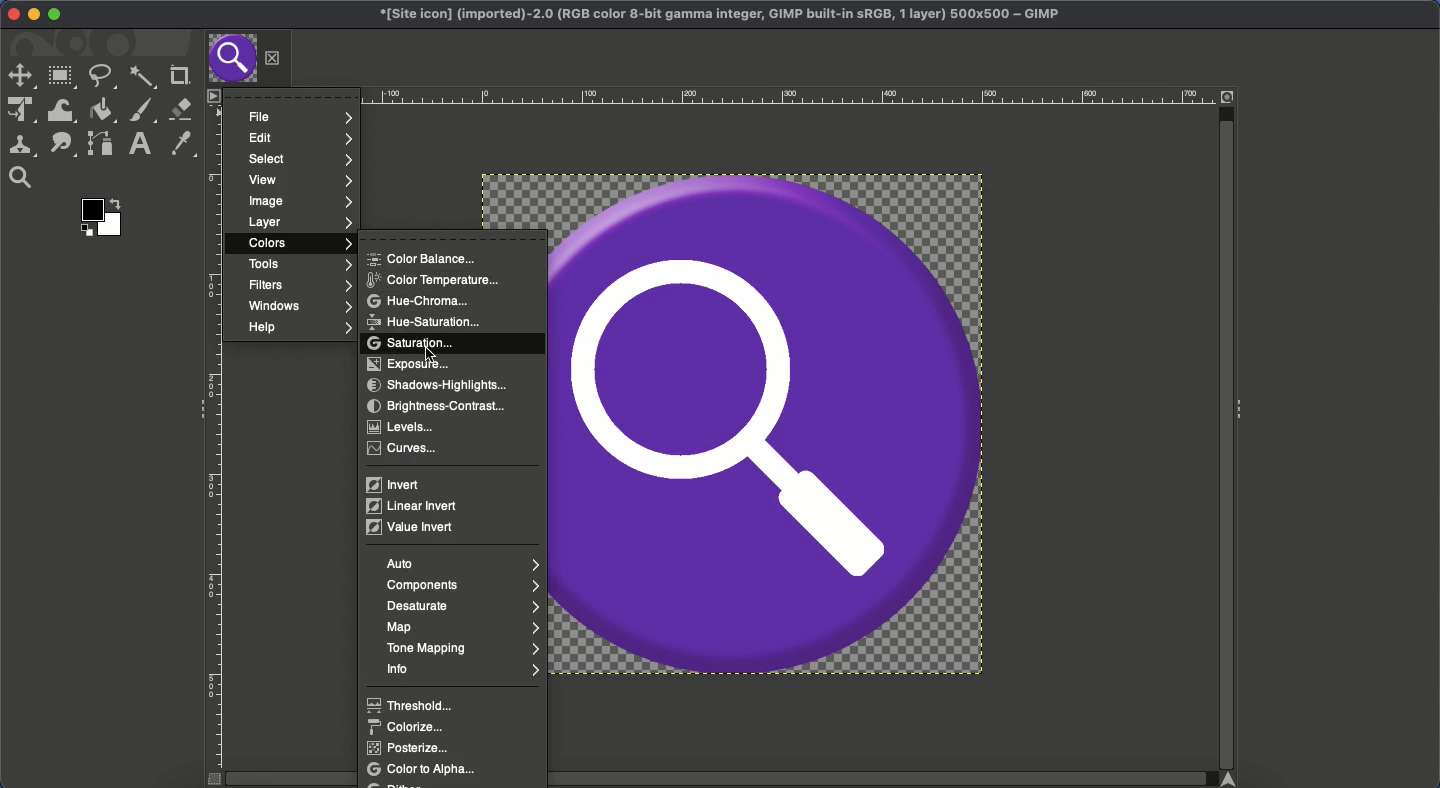  I want to click on Freeform selector, so click(102, 78).